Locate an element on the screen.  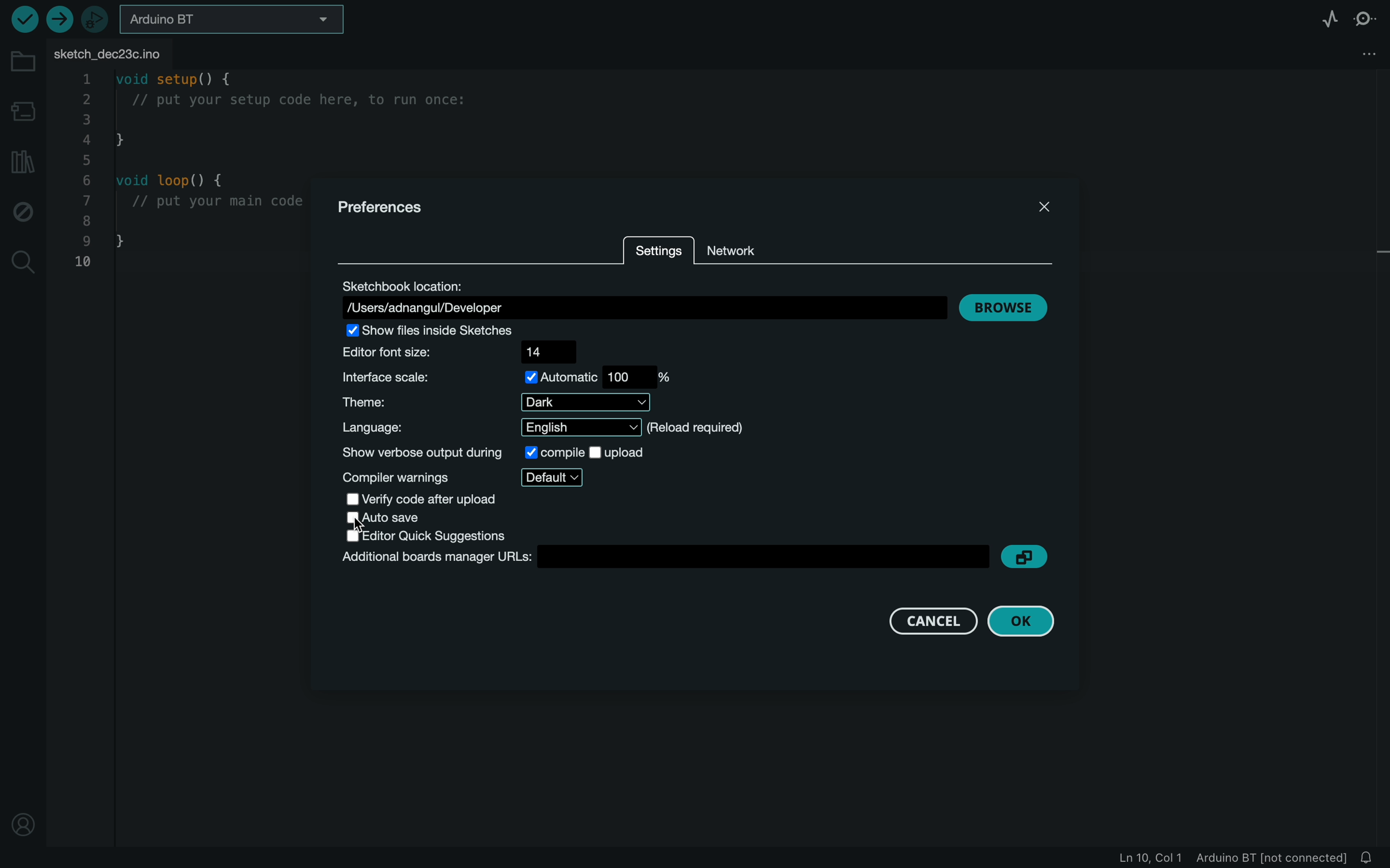
editor is located at coordinates (432, 536).